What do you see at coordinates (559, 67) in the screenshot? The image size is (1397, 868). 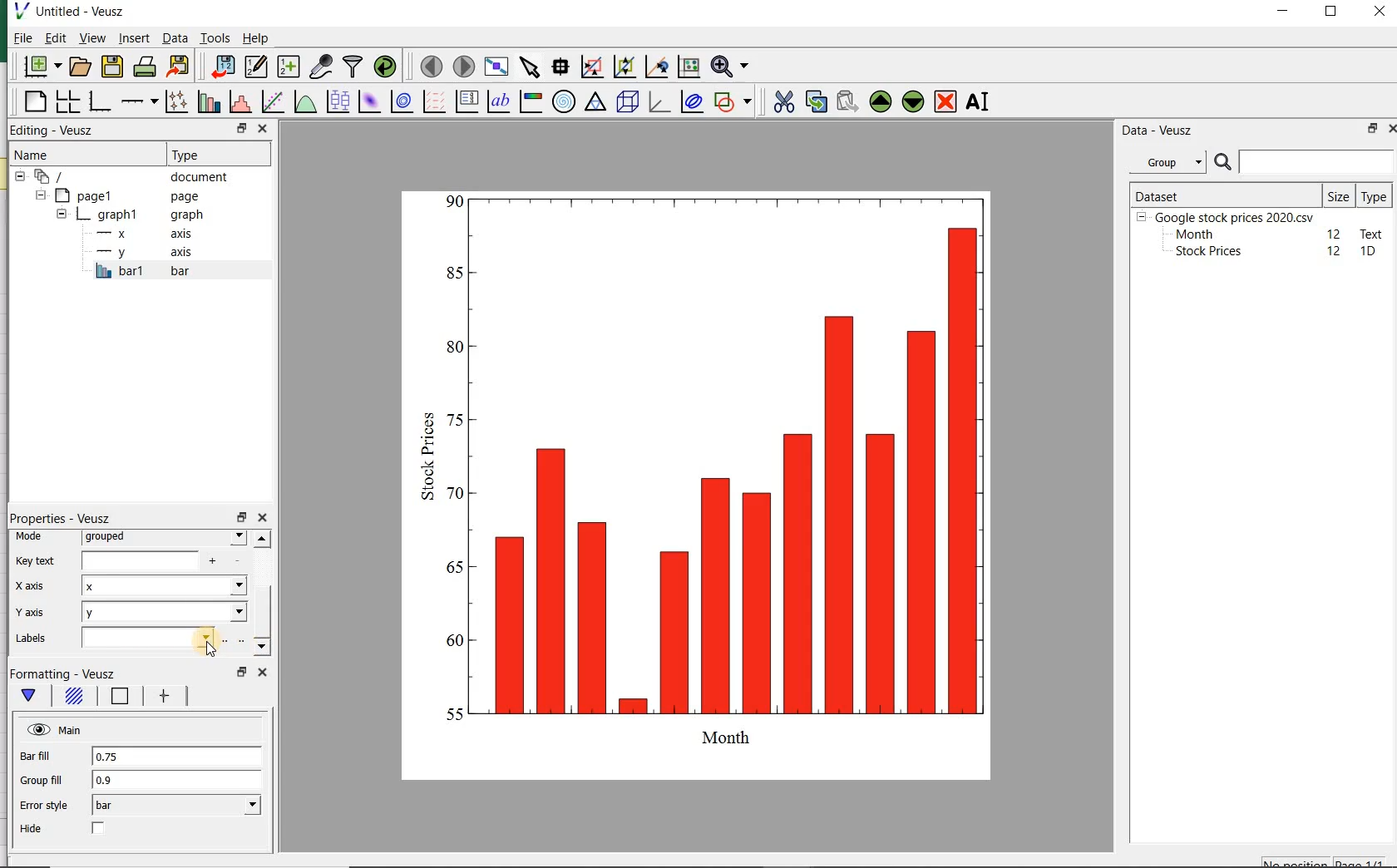 I see `read data points on the graph` at bounding box center [559, 67].